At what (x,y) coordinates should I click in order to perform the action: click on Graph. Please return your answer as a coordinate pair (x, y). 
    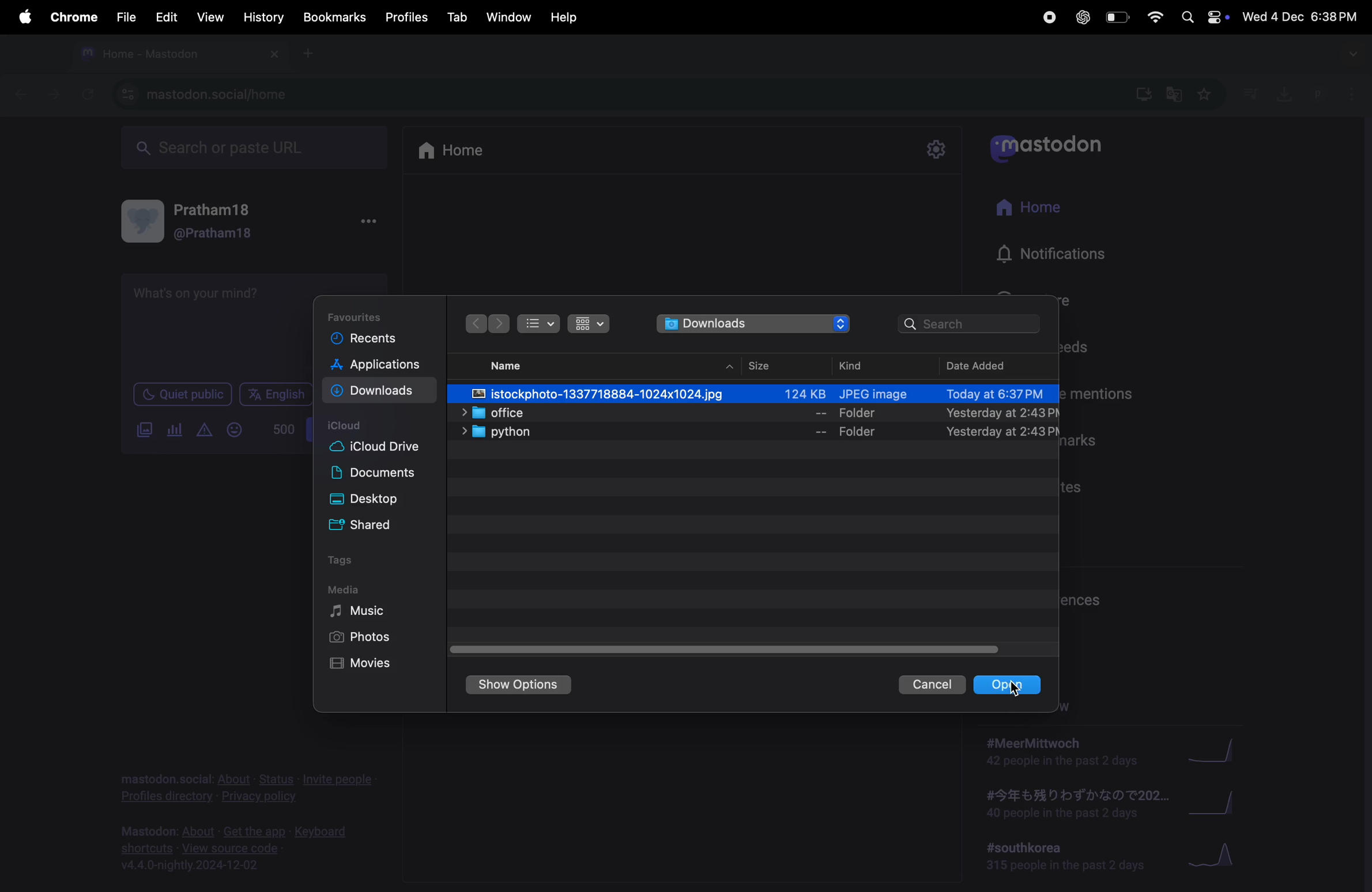
    Looking at the image, I should click on (1218, 857).